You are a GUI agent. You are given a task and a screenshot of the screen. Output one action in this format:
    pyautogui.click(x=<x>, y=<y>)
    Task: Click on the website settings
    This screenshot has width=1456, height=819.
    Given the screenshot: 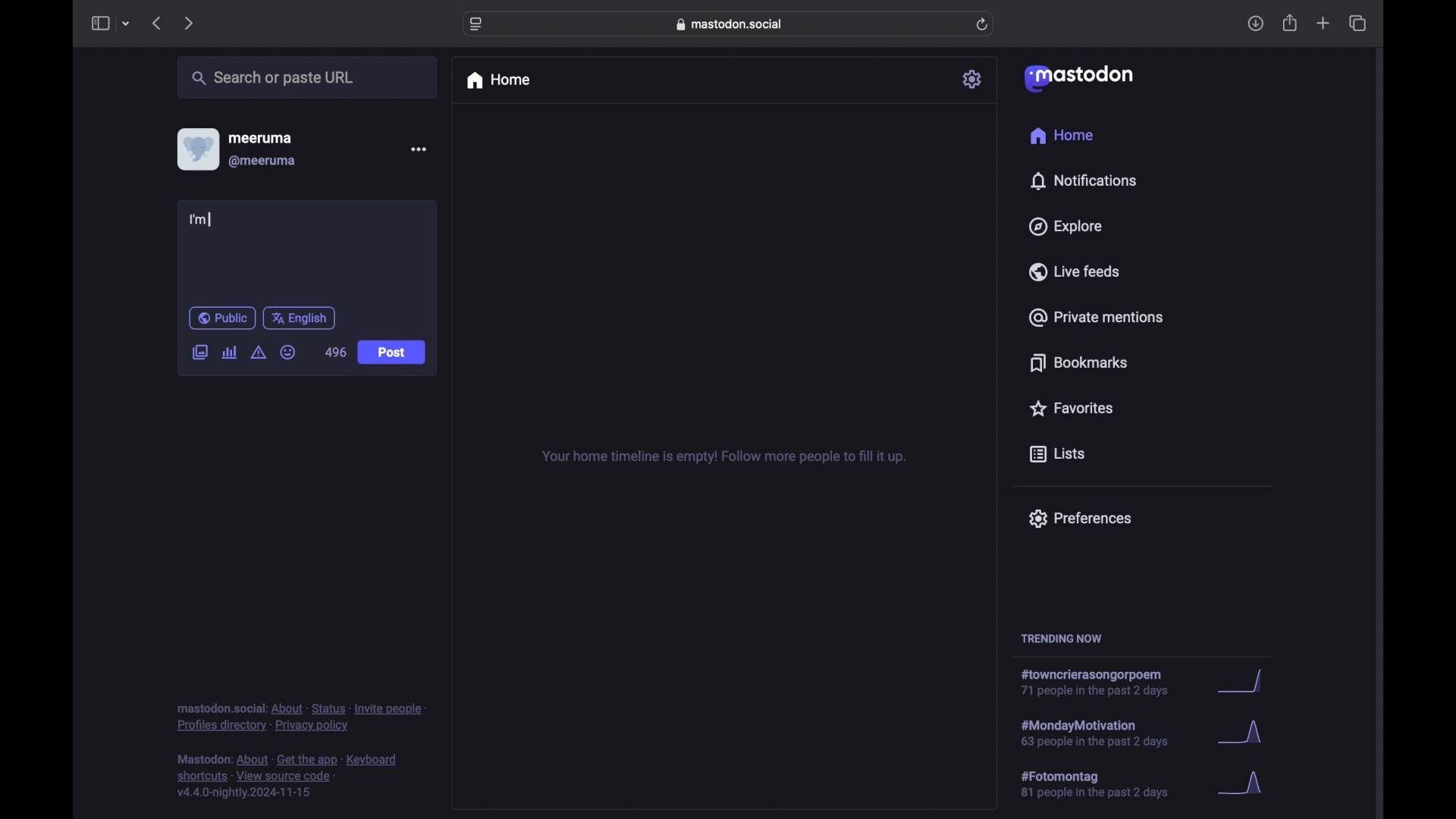 What is the action you would take?
    pyautogui.click(x=476, y=25)
    